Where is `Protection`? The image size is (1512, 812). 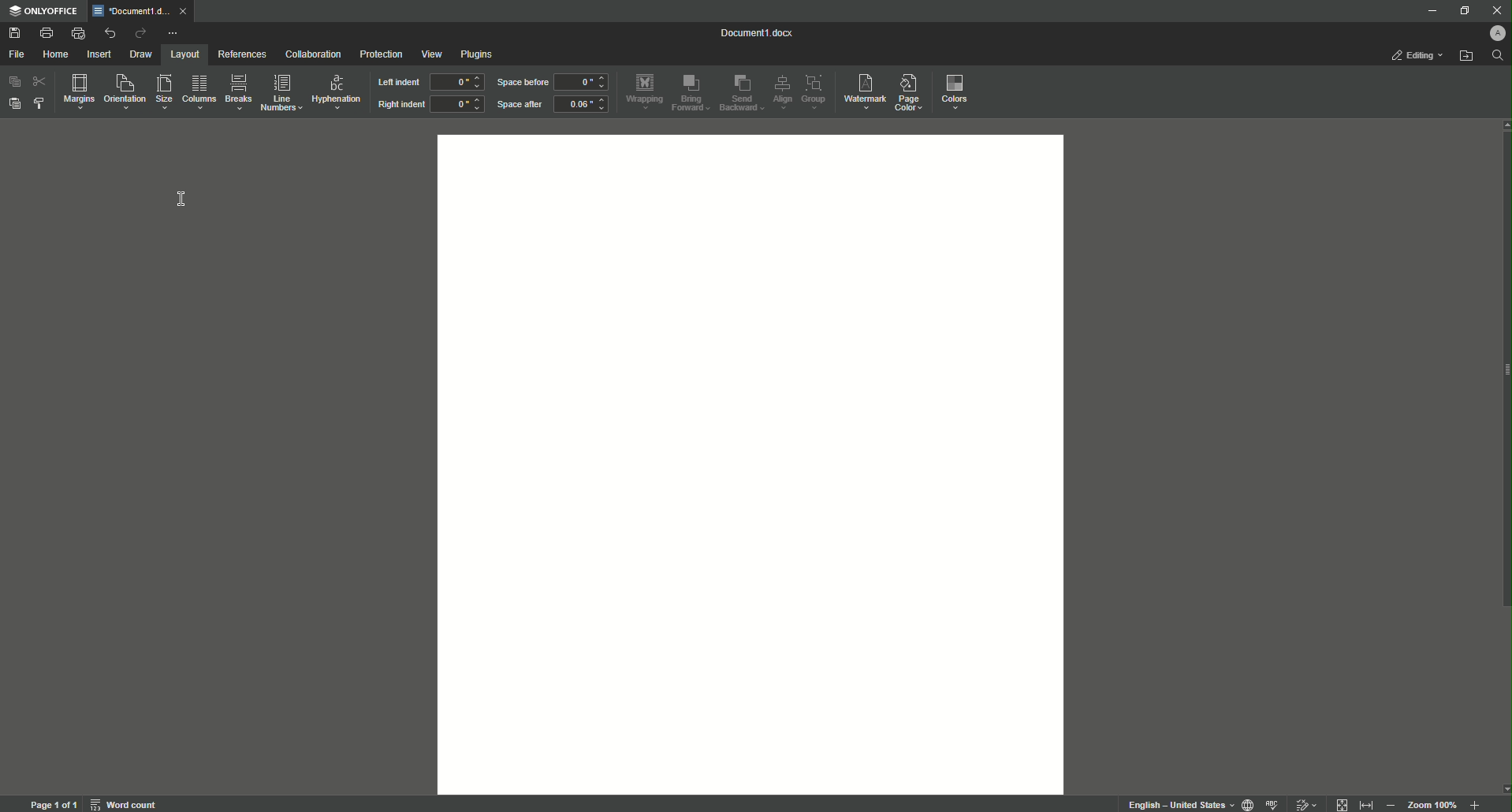
Protection is located at coordinates (377, 54).